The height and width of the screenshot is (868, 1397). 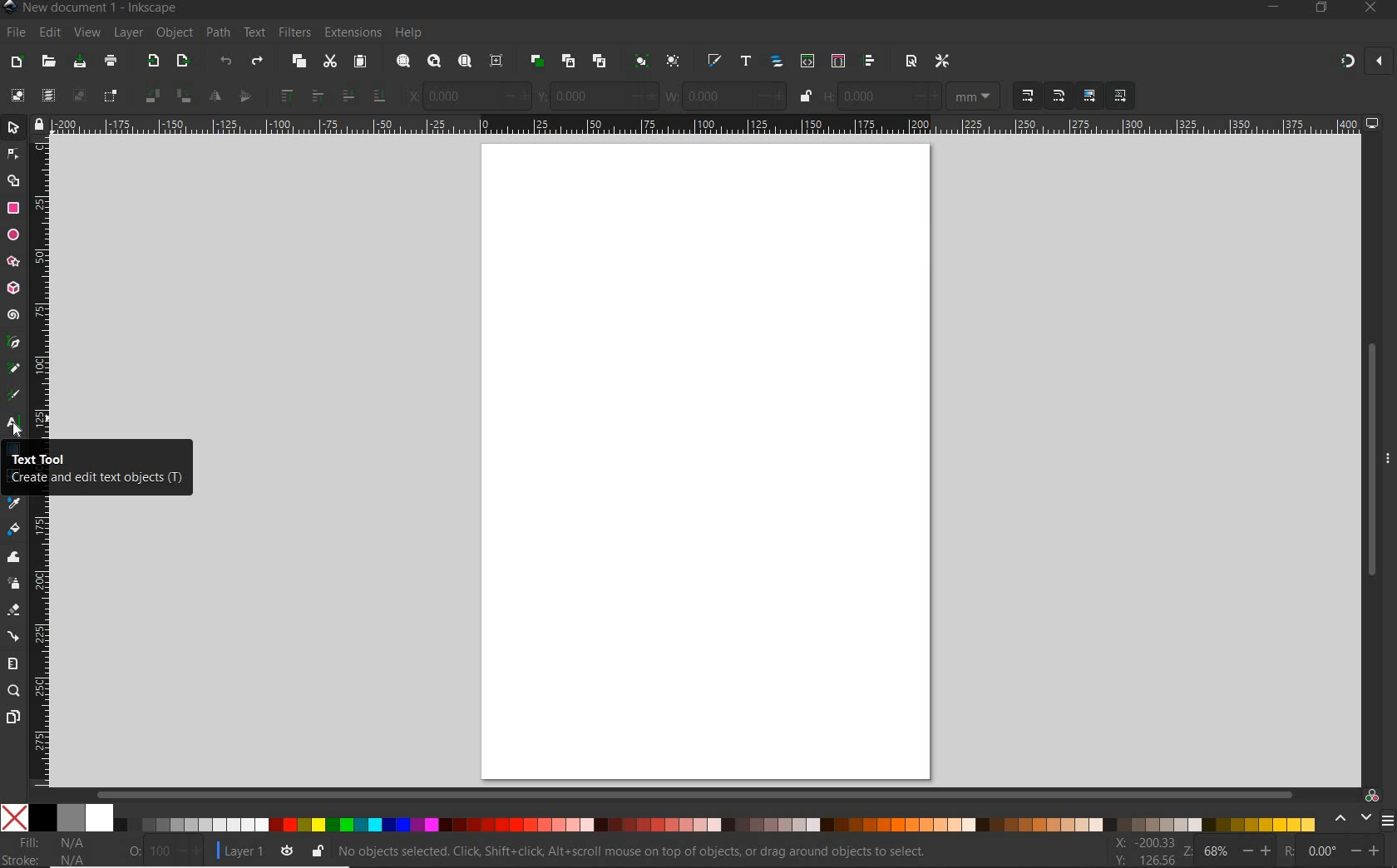 I want to click on object flip, so click(x=244, y=97).